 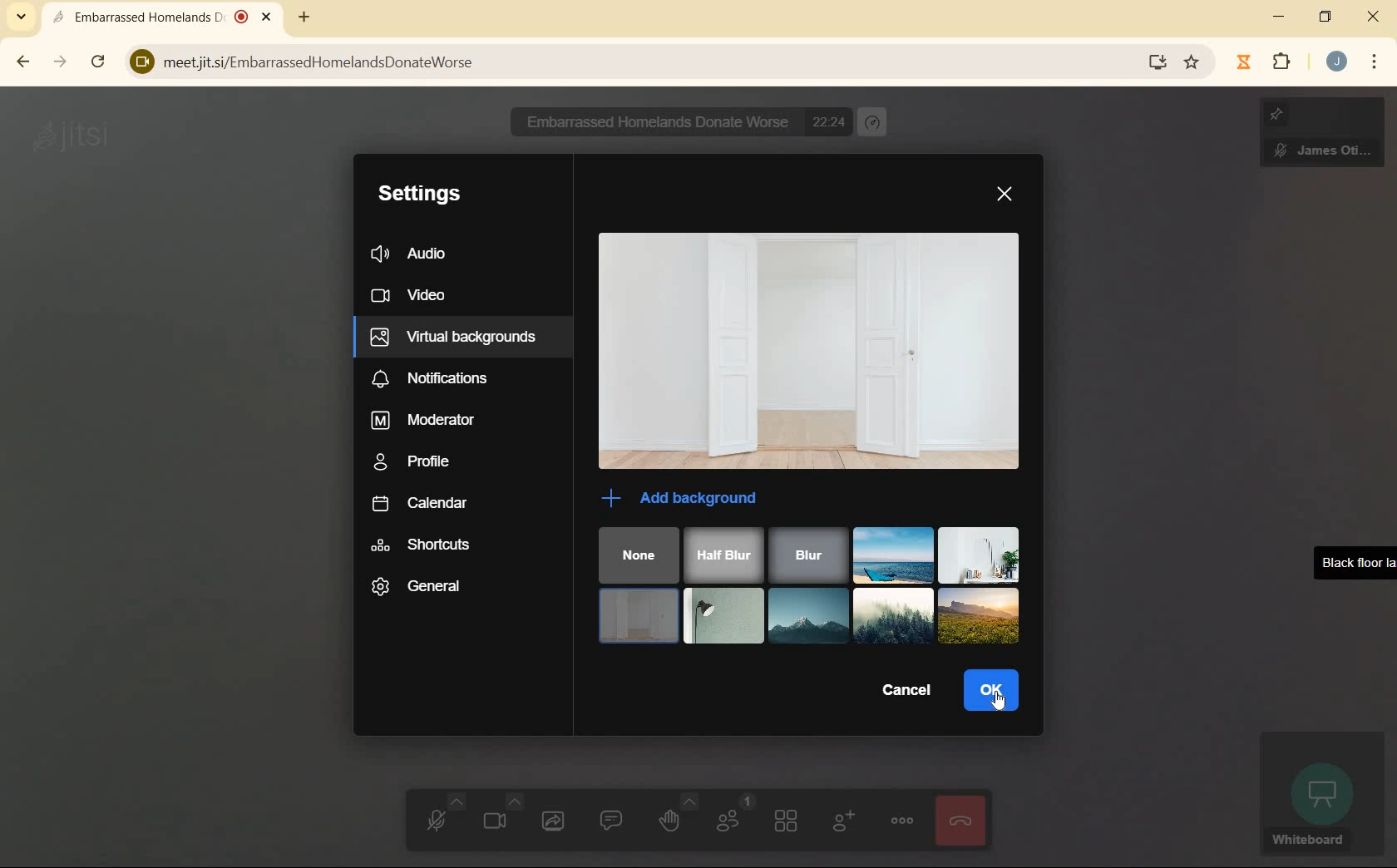 What do you see at coordinates (417, 195) in the screenshot?
I see `settings` at bounding box center [417, 195].